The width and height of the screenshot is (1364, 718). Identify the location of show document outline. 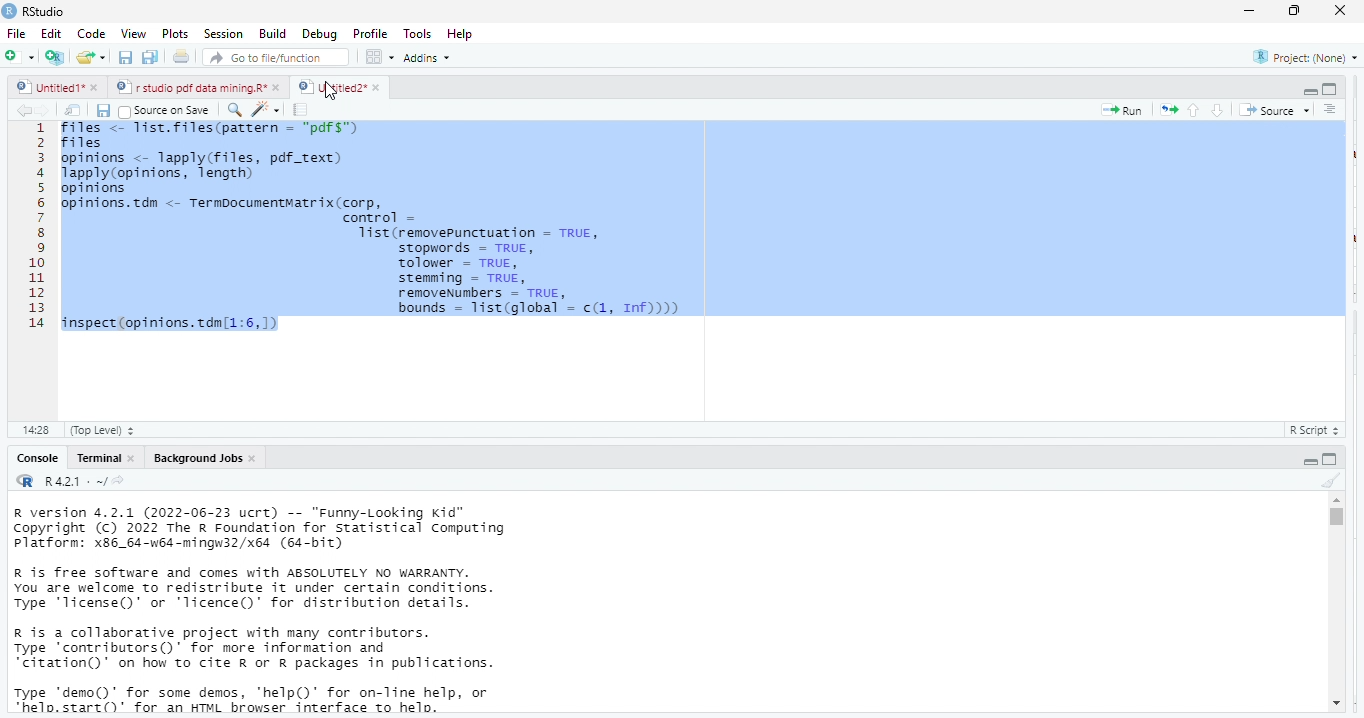
(1332, 110).